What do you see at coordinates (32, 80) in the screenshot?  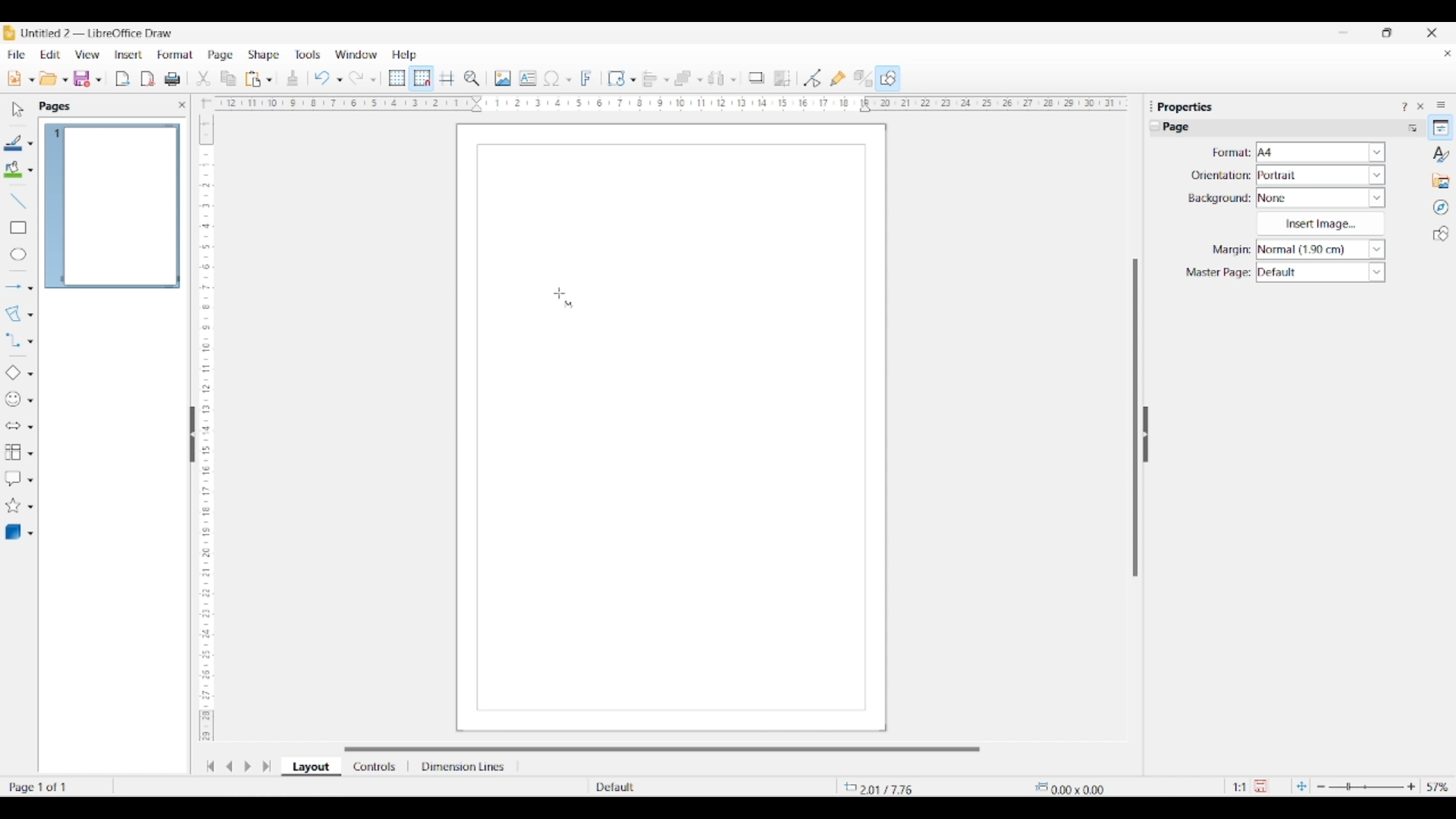 I see `New document format options` at bounding box center [32, 80].